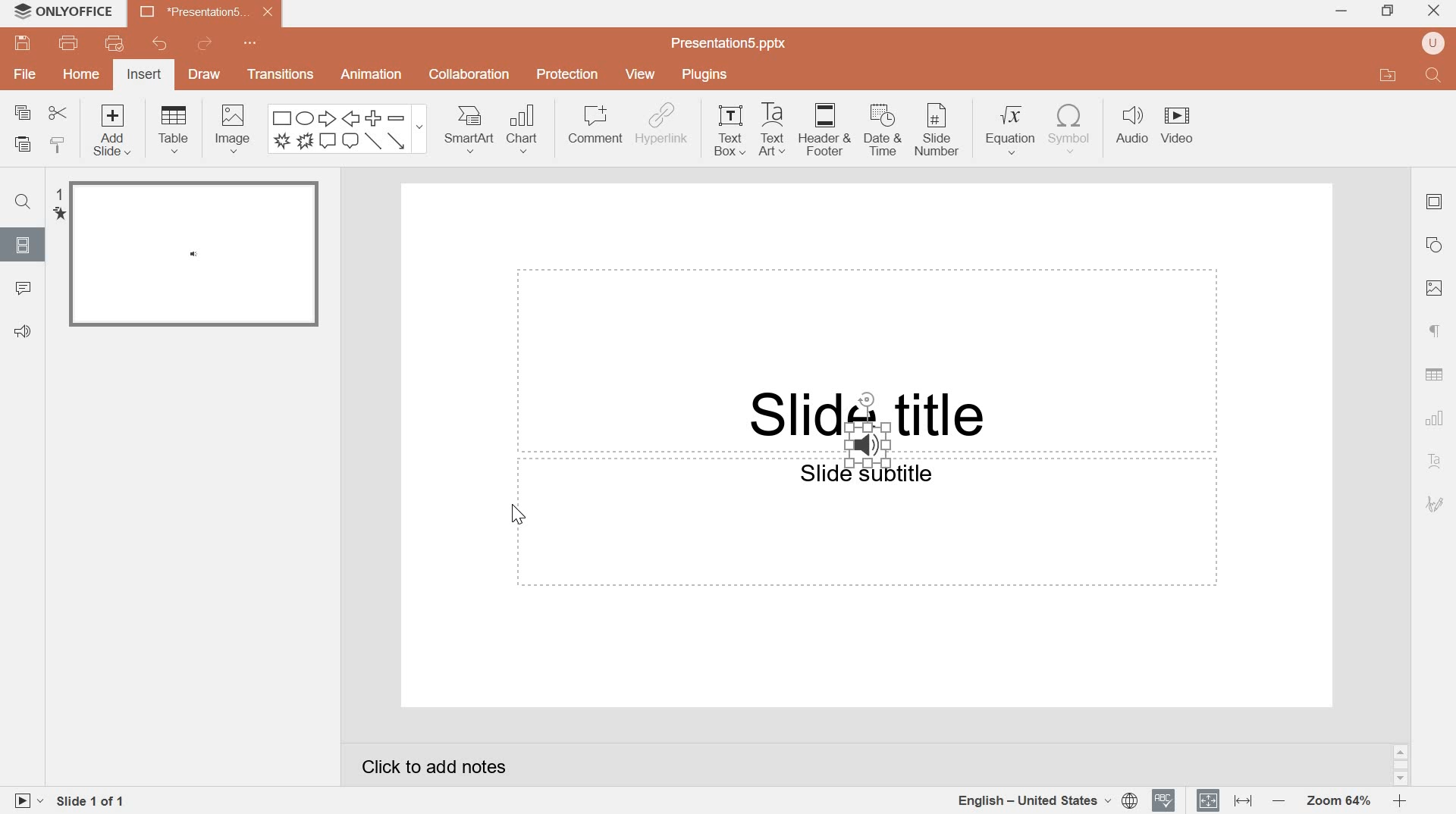 This screenshot has width=1456, height=814. Describe the element at coordinates (1432, 462) in the screenshot. I see `text art settings` at that location.